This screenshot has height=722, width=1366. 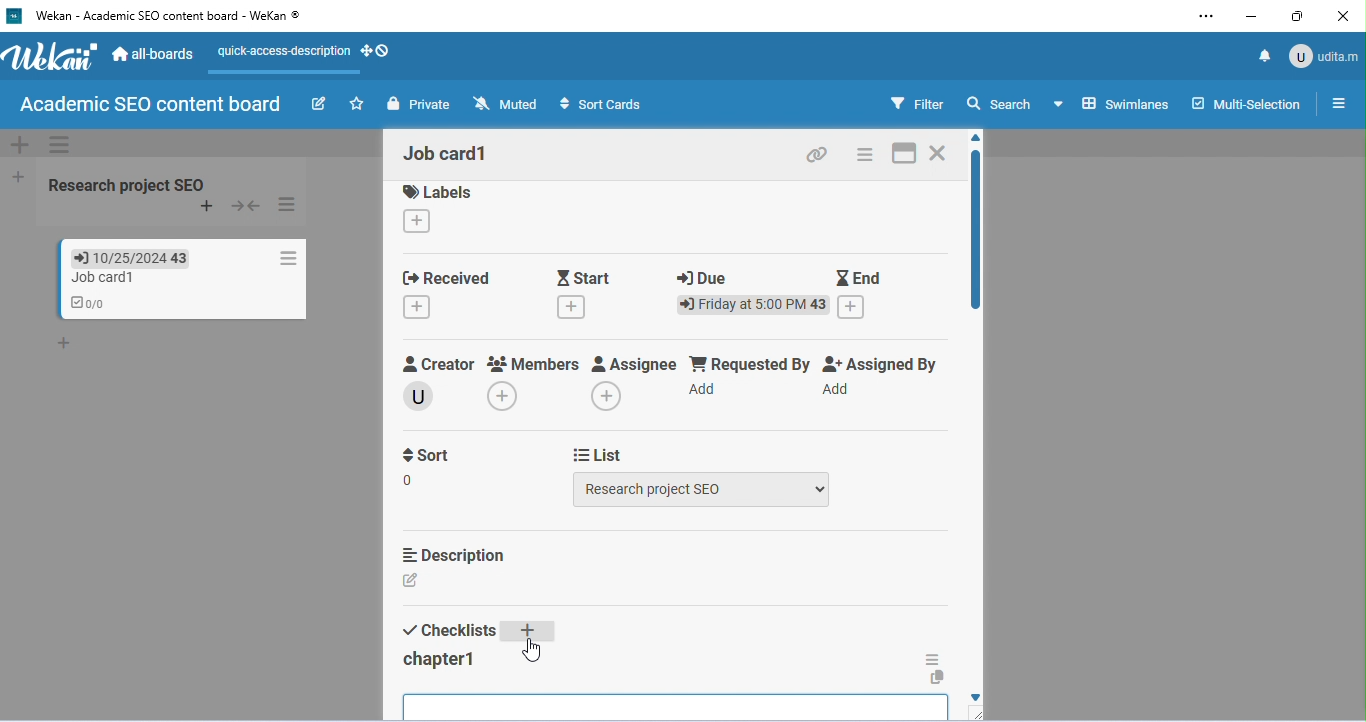 What do you see at coordinates (17, 145) in the screenshot?
I see `add swimlane` at bounding box center [17, 145].